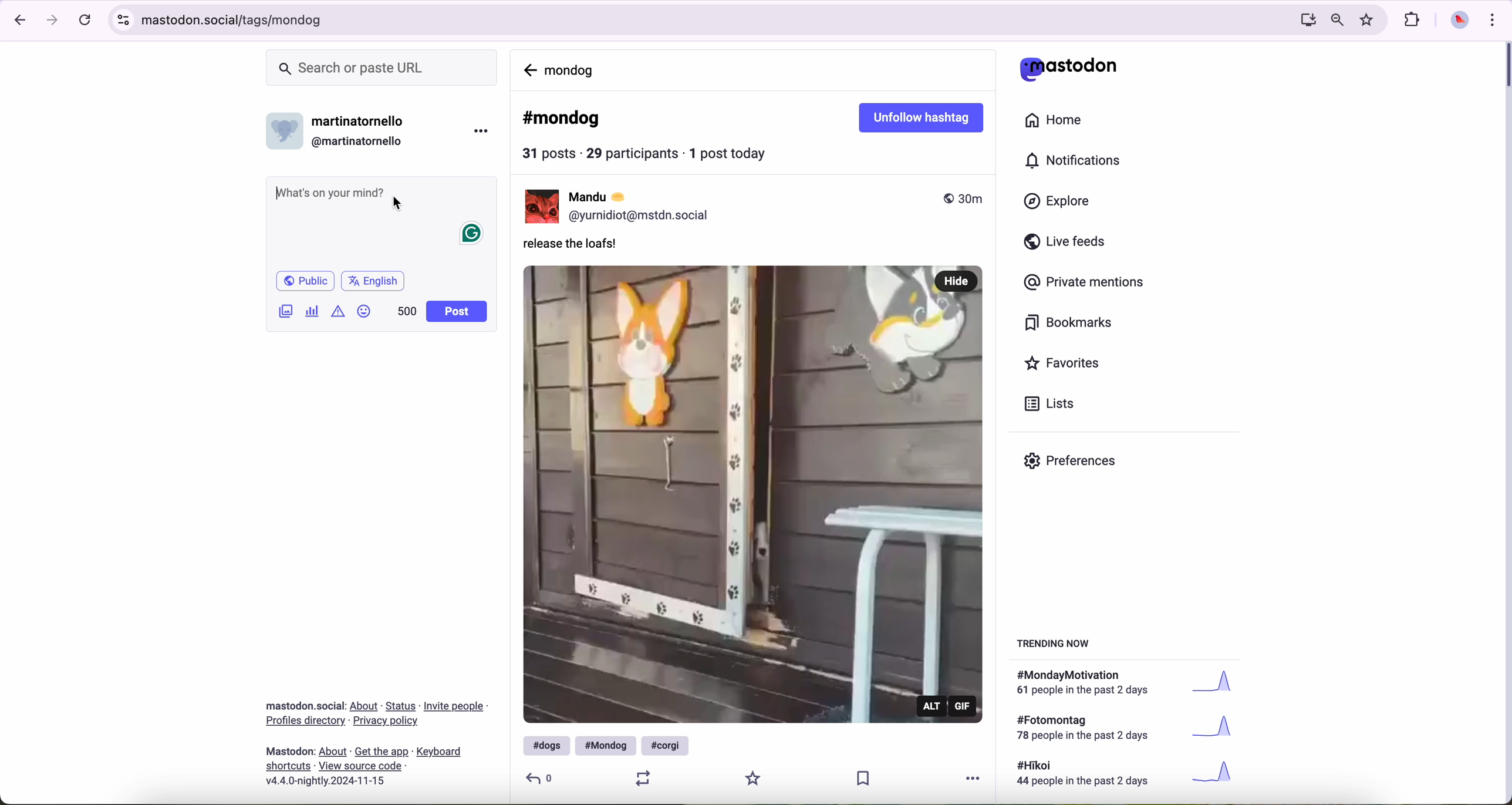  I want to click on customize and control Google Chrome, so click(1496, 20).